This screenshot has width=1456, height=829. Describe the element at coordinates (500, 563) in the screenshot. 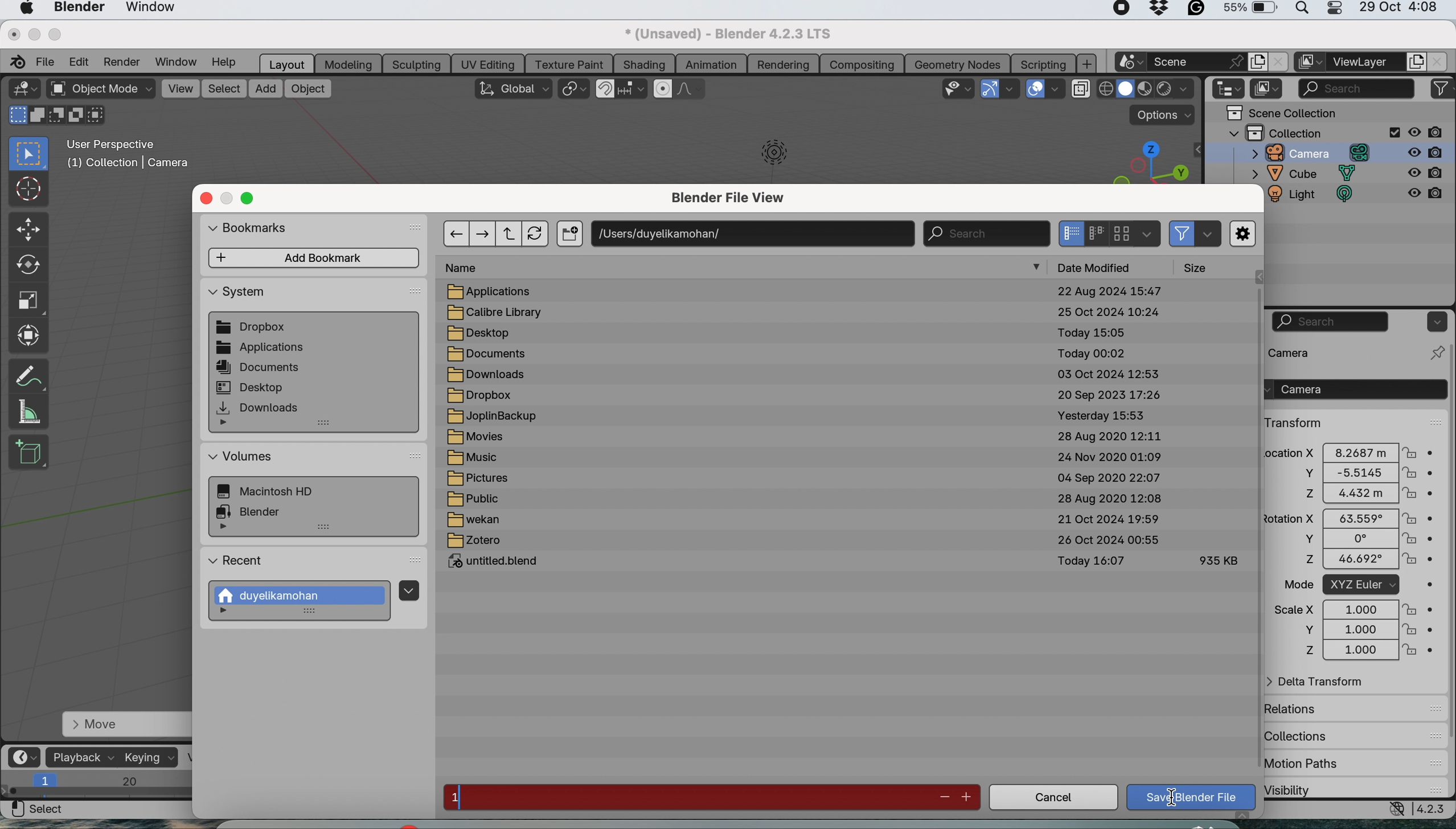

I see `untitled.blend` at that location.